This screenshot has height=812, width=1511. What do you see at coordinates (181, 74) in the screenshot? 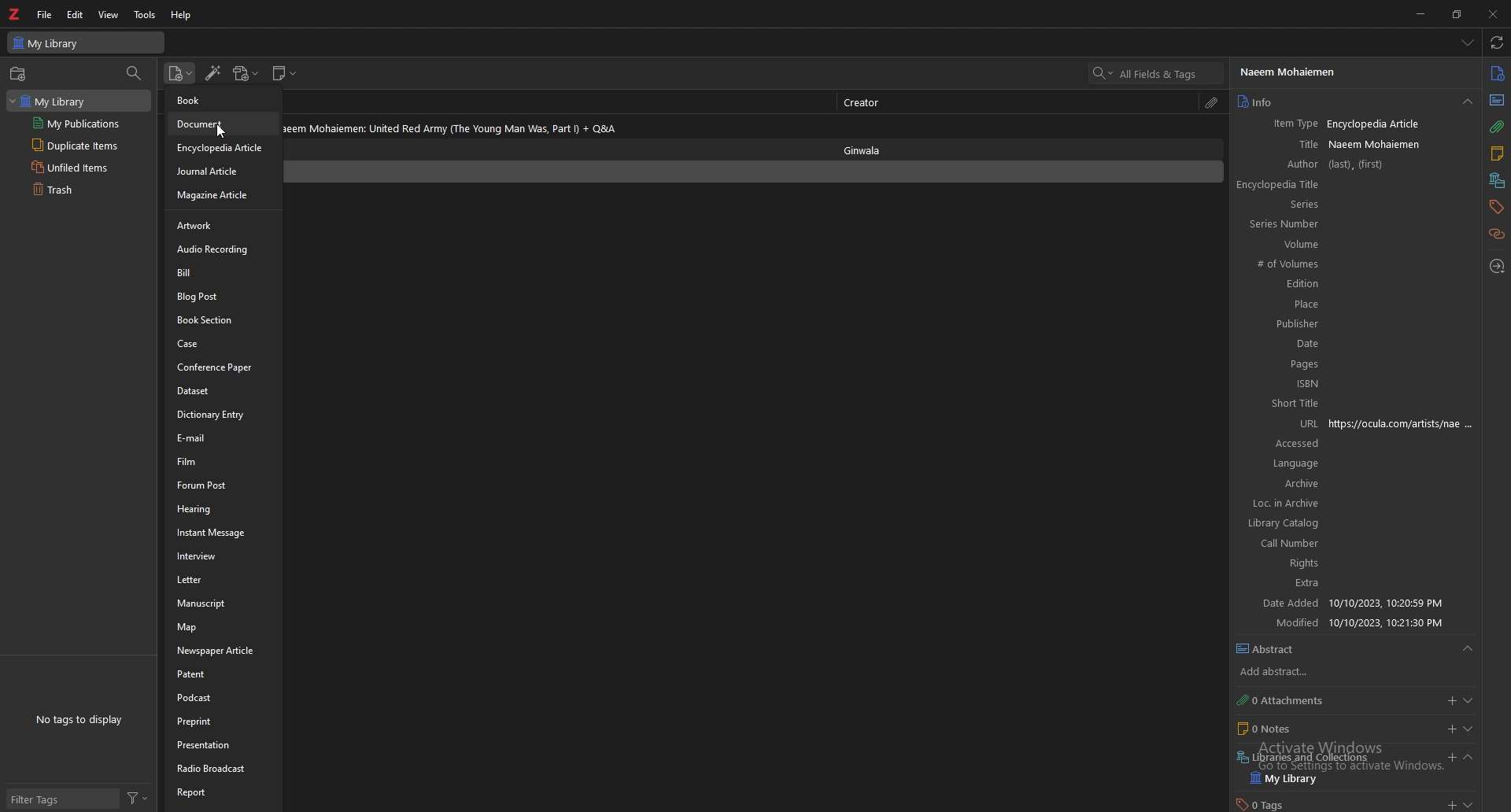
I see `new item` at bounding box center [181, 74].